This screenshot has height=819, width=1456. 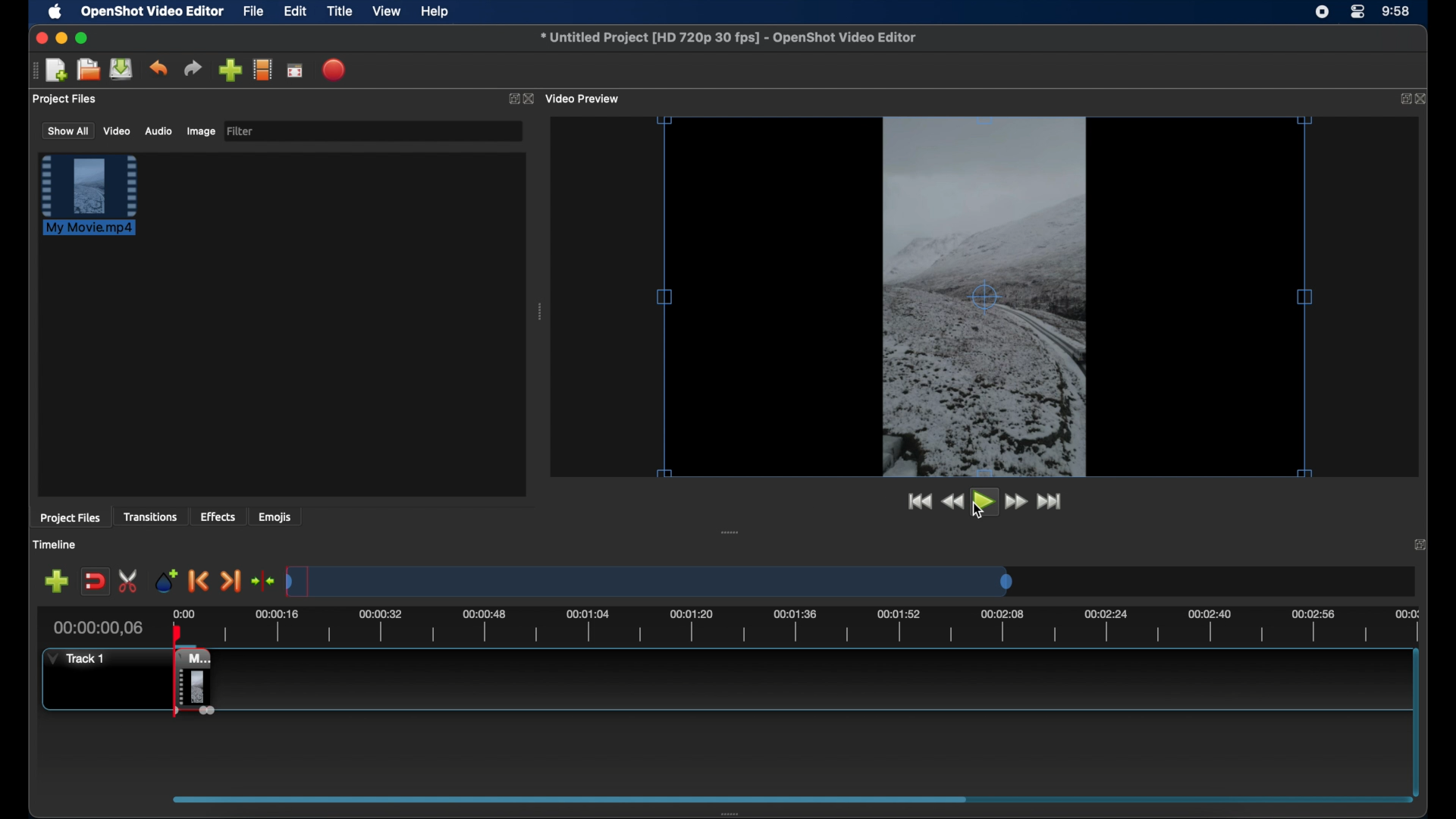 What do you see at coordinates (511, 99) in the screenshot?
I see `expand` at bounding box center [511, 99].